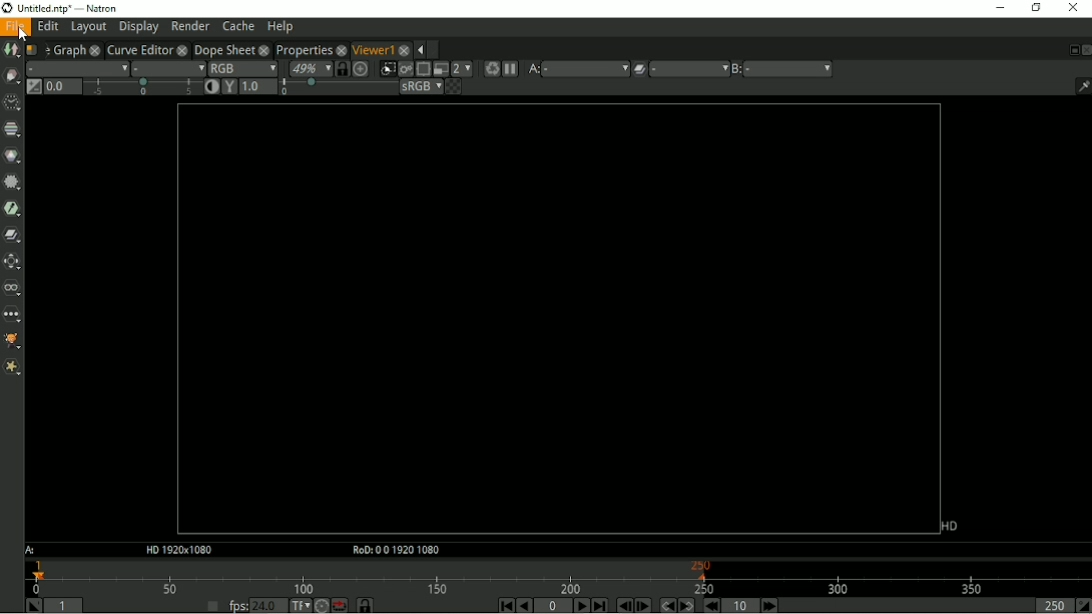 Image resolution: width=1092 pixels, height=614 pixels. Describe the element at coordinates (639, 69) in the screenshot. I see `Operation applied between viewer input A and B` at that location.